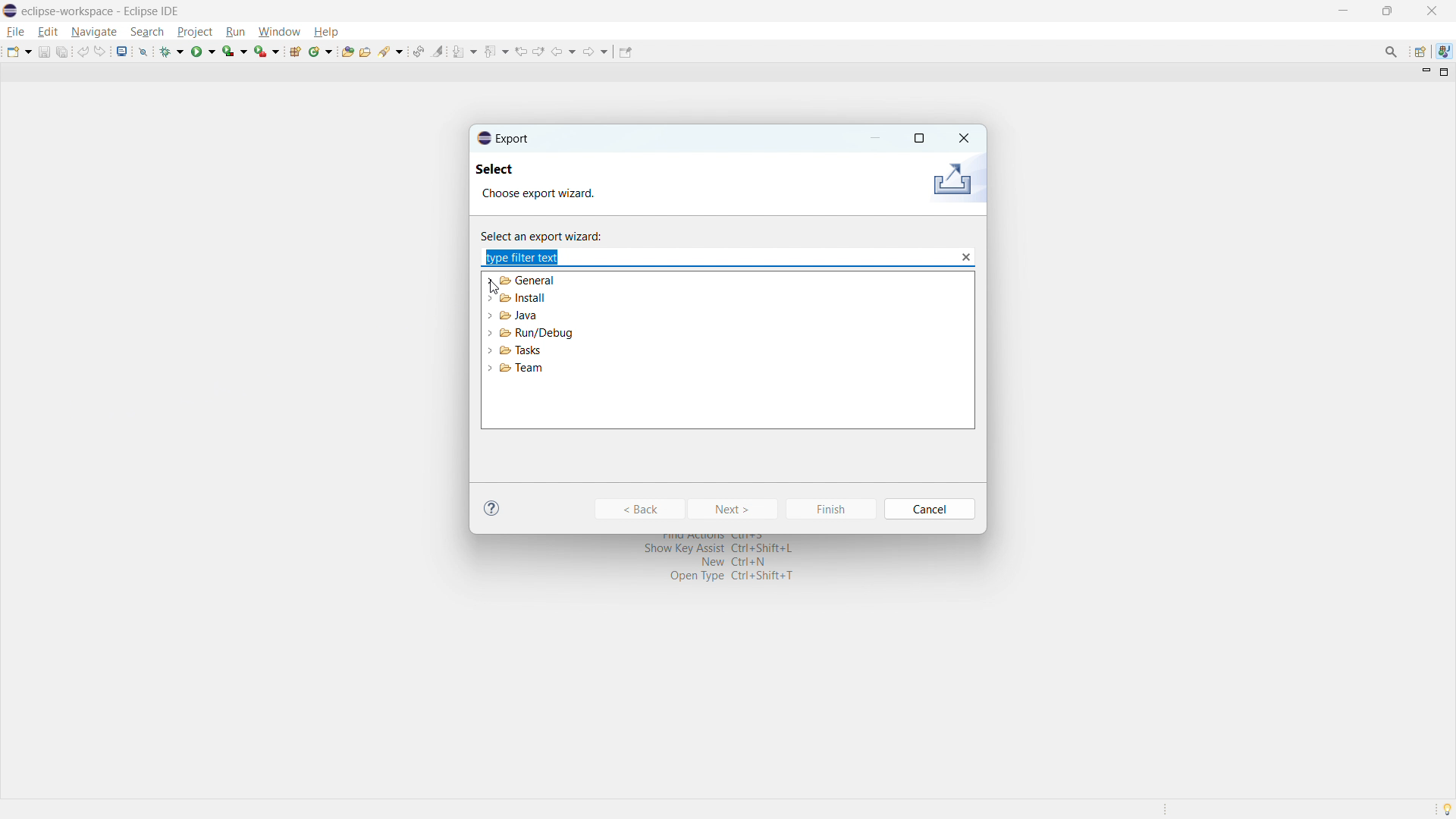  Describe the element at coordinates (325, 31) in the screenshot. I see `help` at that location.